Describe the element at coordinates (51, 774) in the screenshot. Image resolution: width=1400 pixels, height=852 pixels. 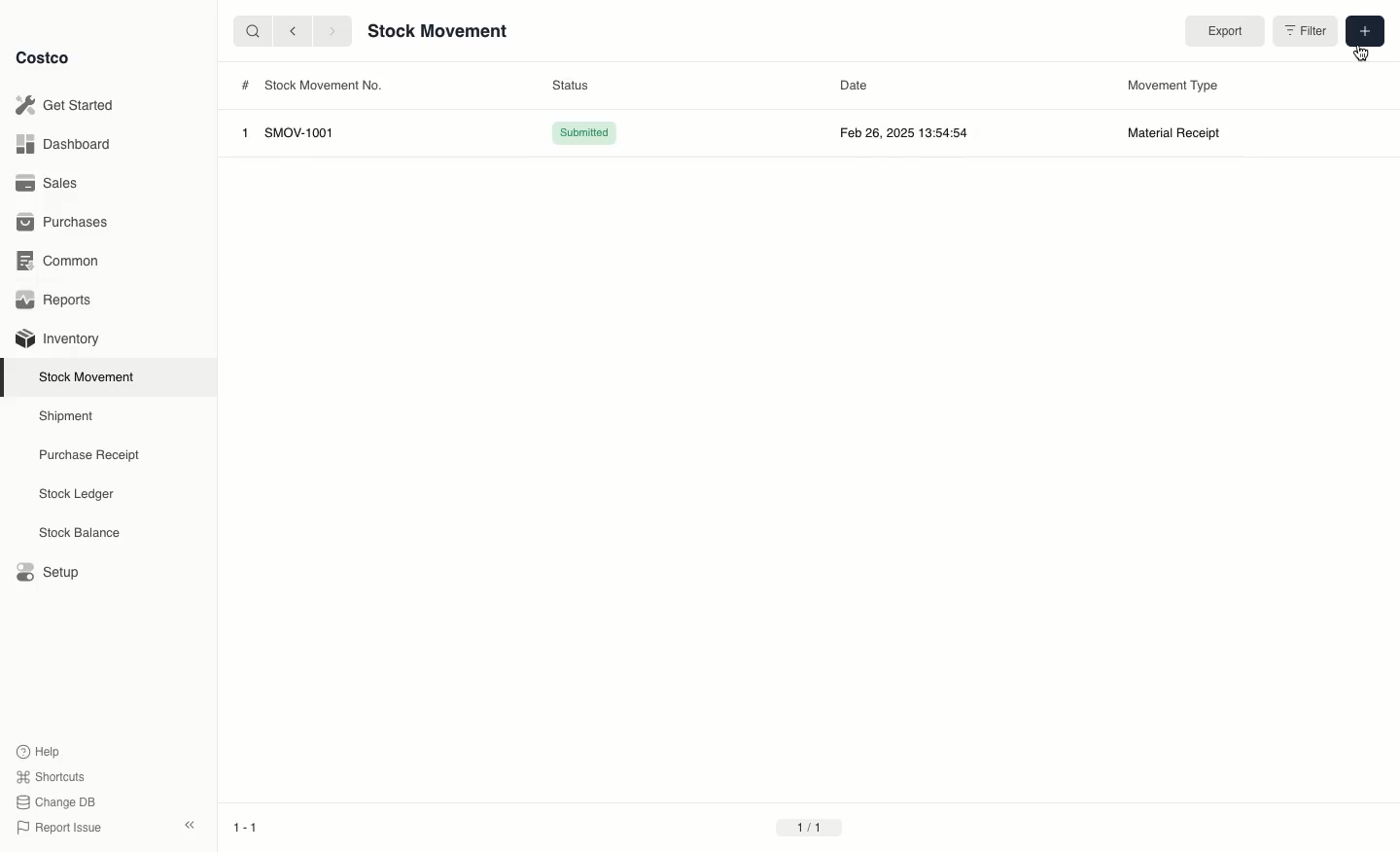
I see `Shortcuts` at that location.